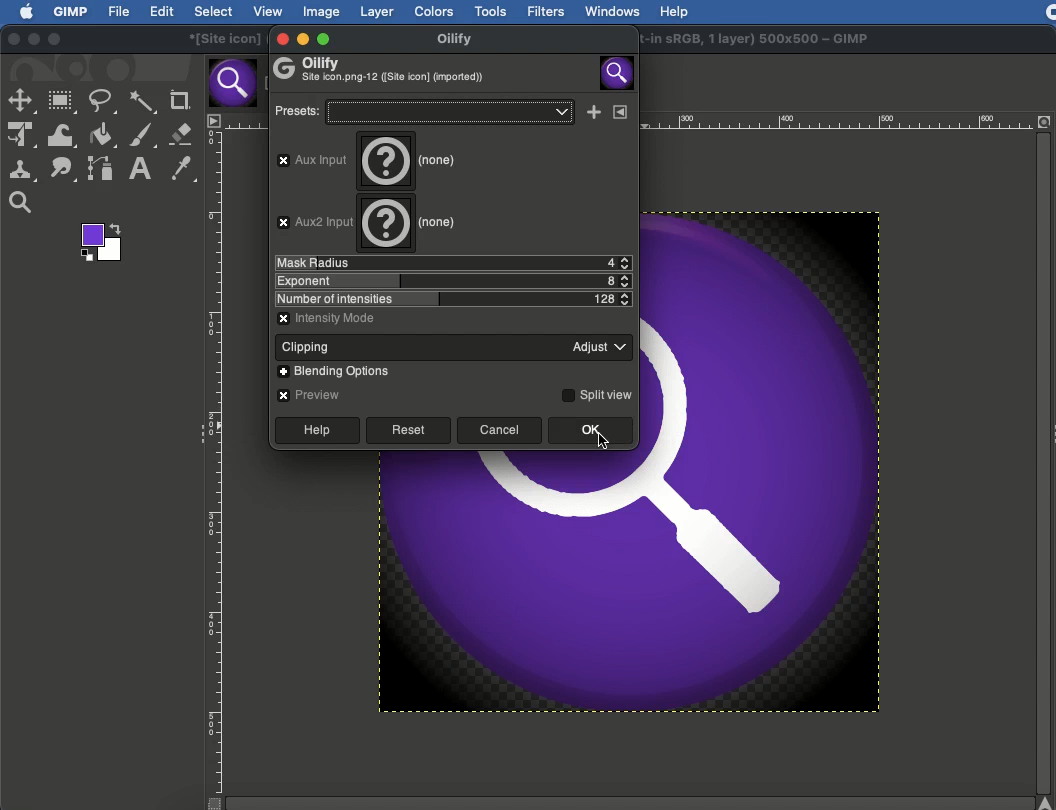 The width and height of the screenshot is (1056, 810). I want to click on Minimize, so click(33, 39).